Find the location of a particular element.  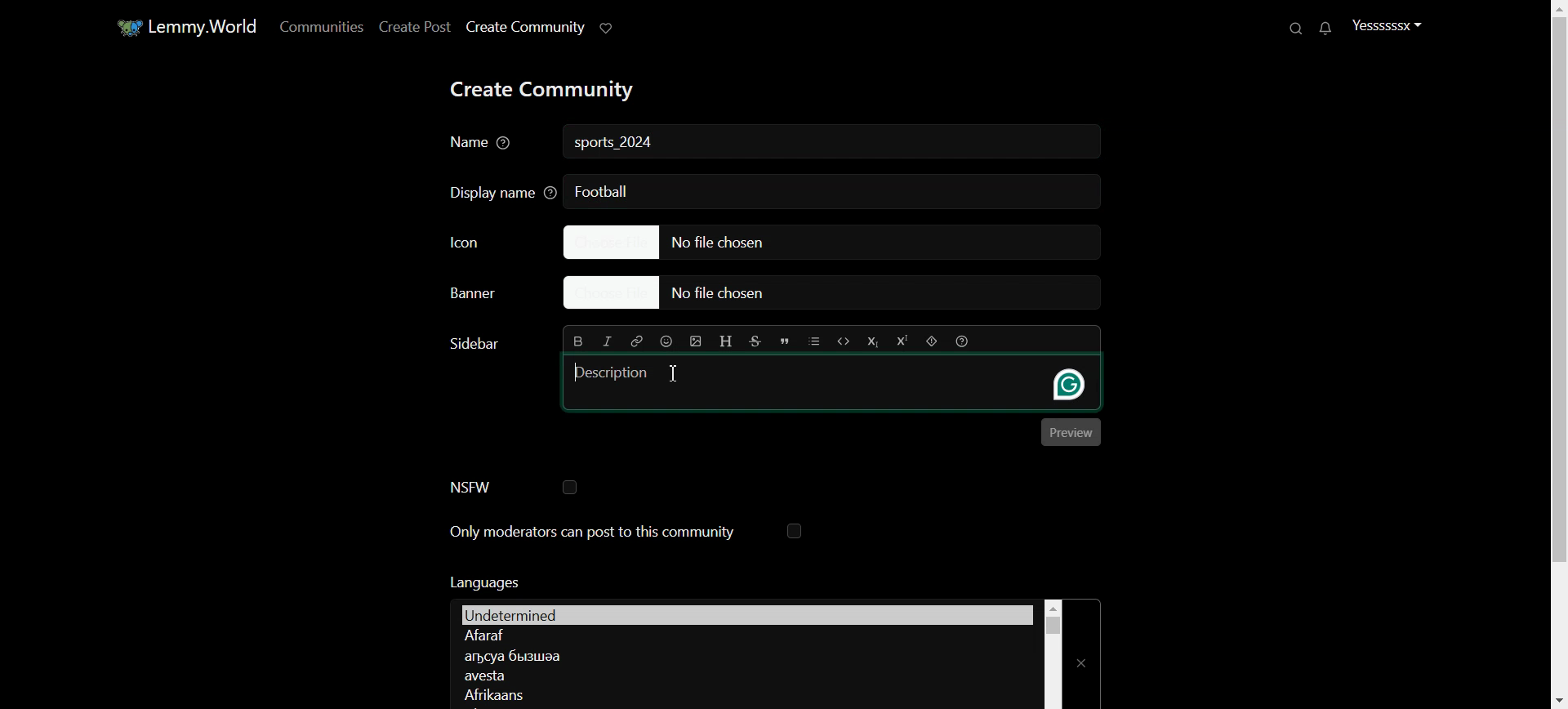

Strikethrough is located at coordinates (756, 341).